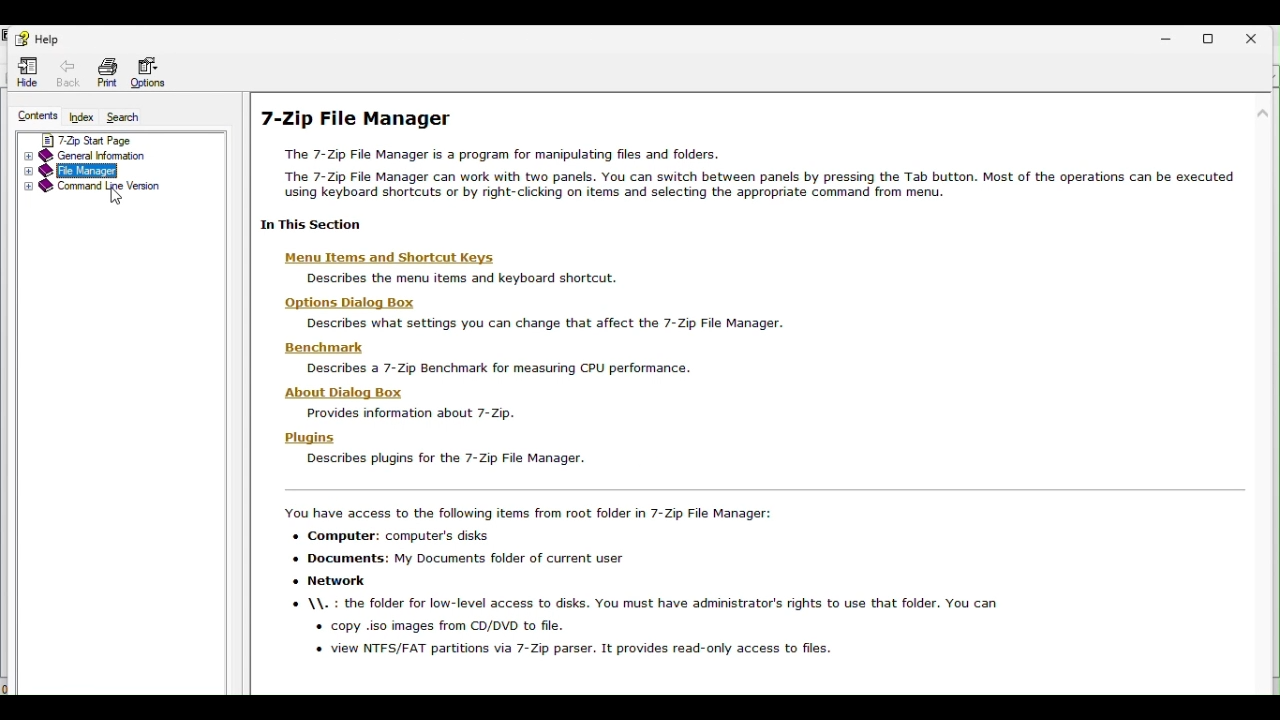  Describe the element at coordinates (353, 303) in the screenshot. I see `options dialog box` at that location.